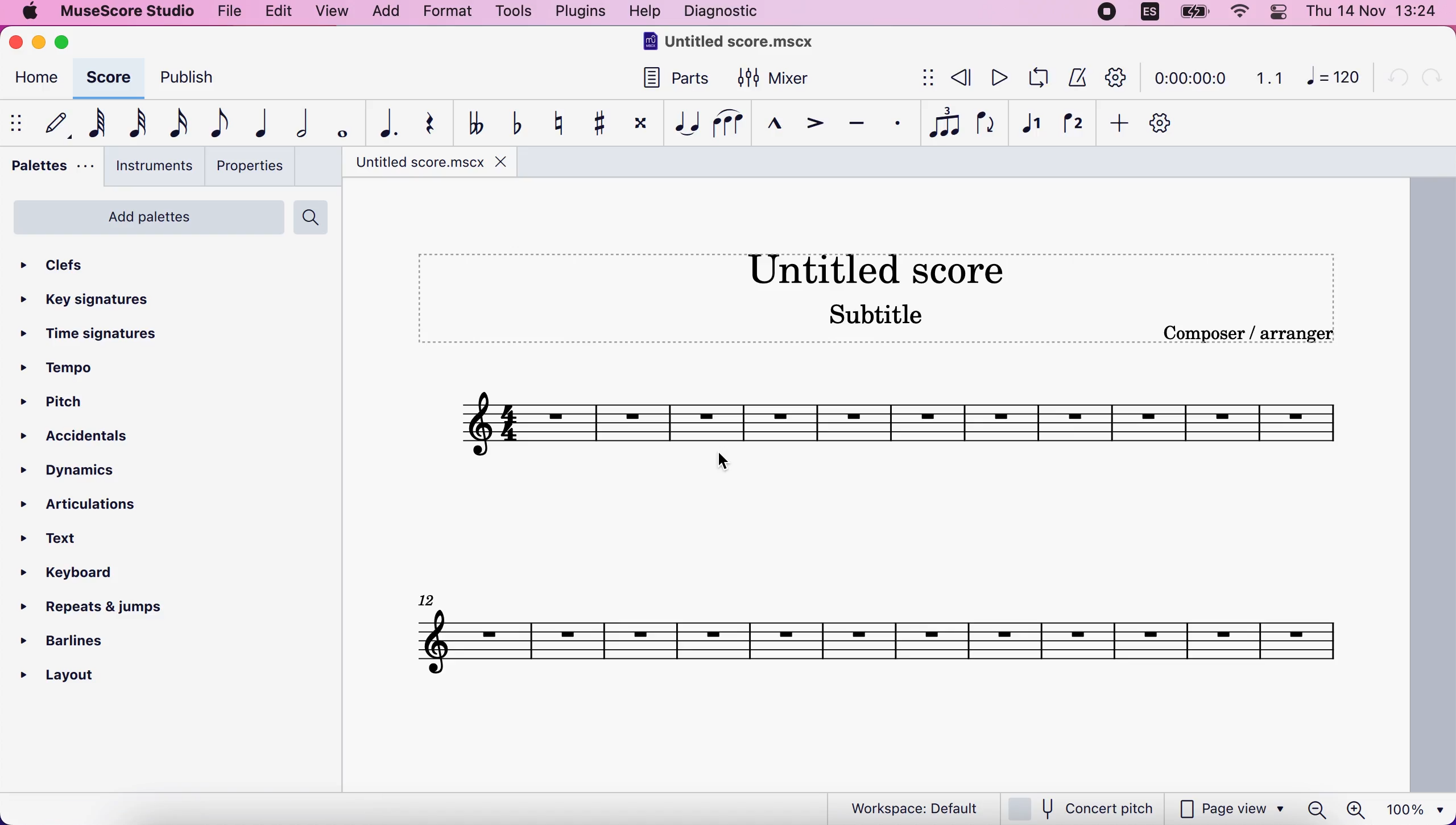  Describe the element at coordinates (594, 124) in the screenshot. I see `toggle sharp` at that location.